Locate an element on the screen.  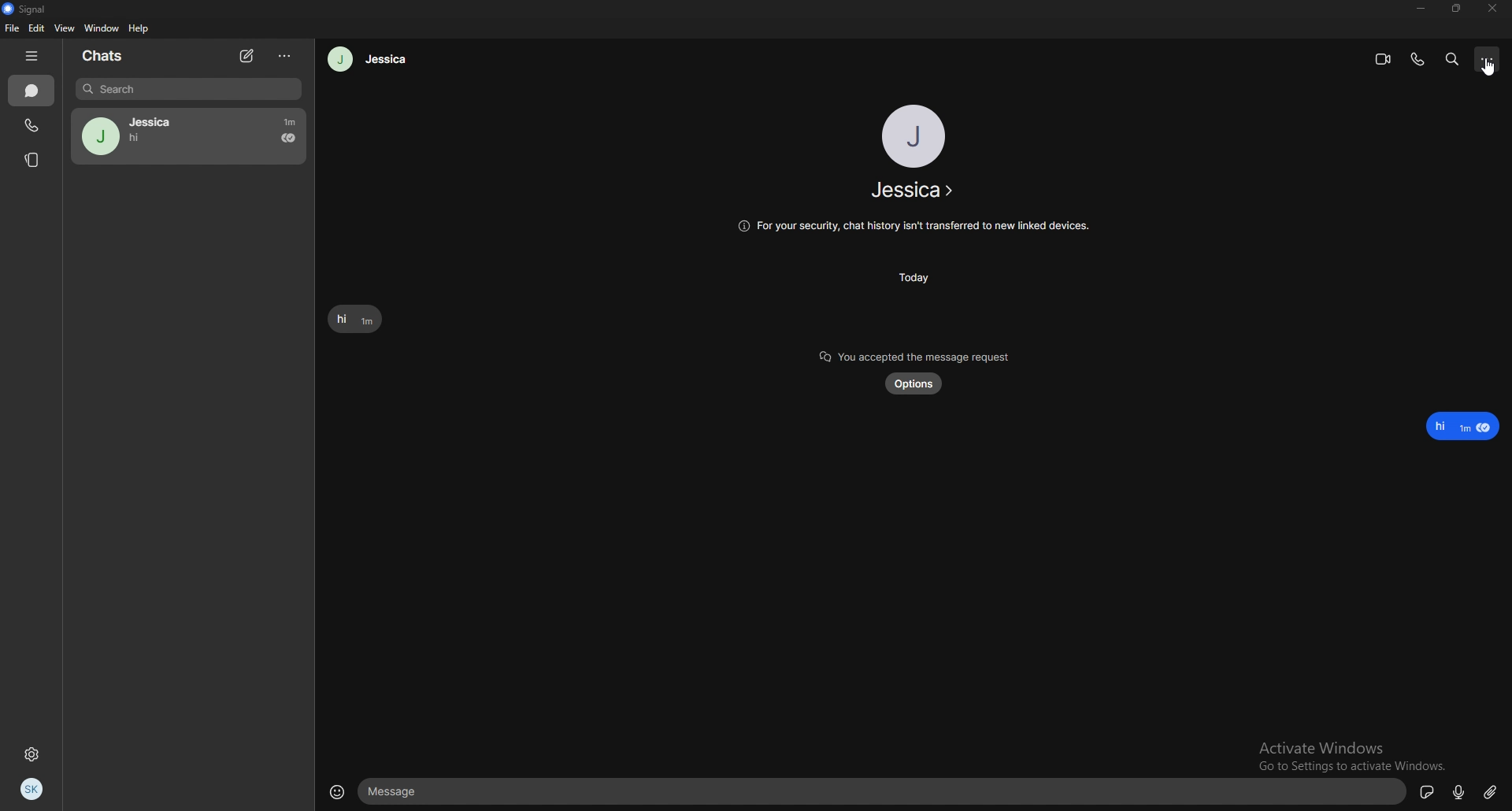
Search is located at coordinates (1454, 59).